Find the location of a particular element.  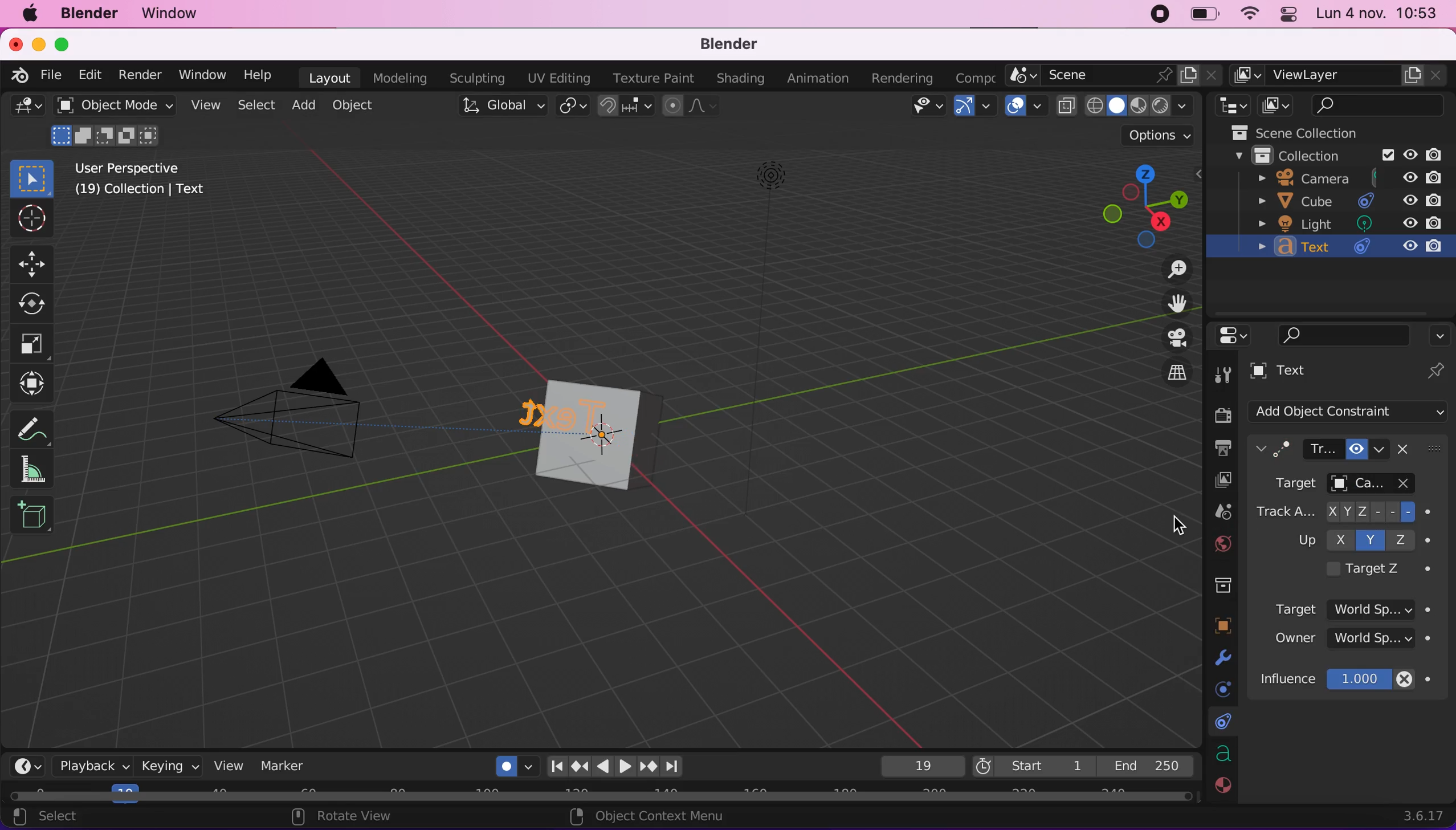

keying is located at coordinates (169, 766).